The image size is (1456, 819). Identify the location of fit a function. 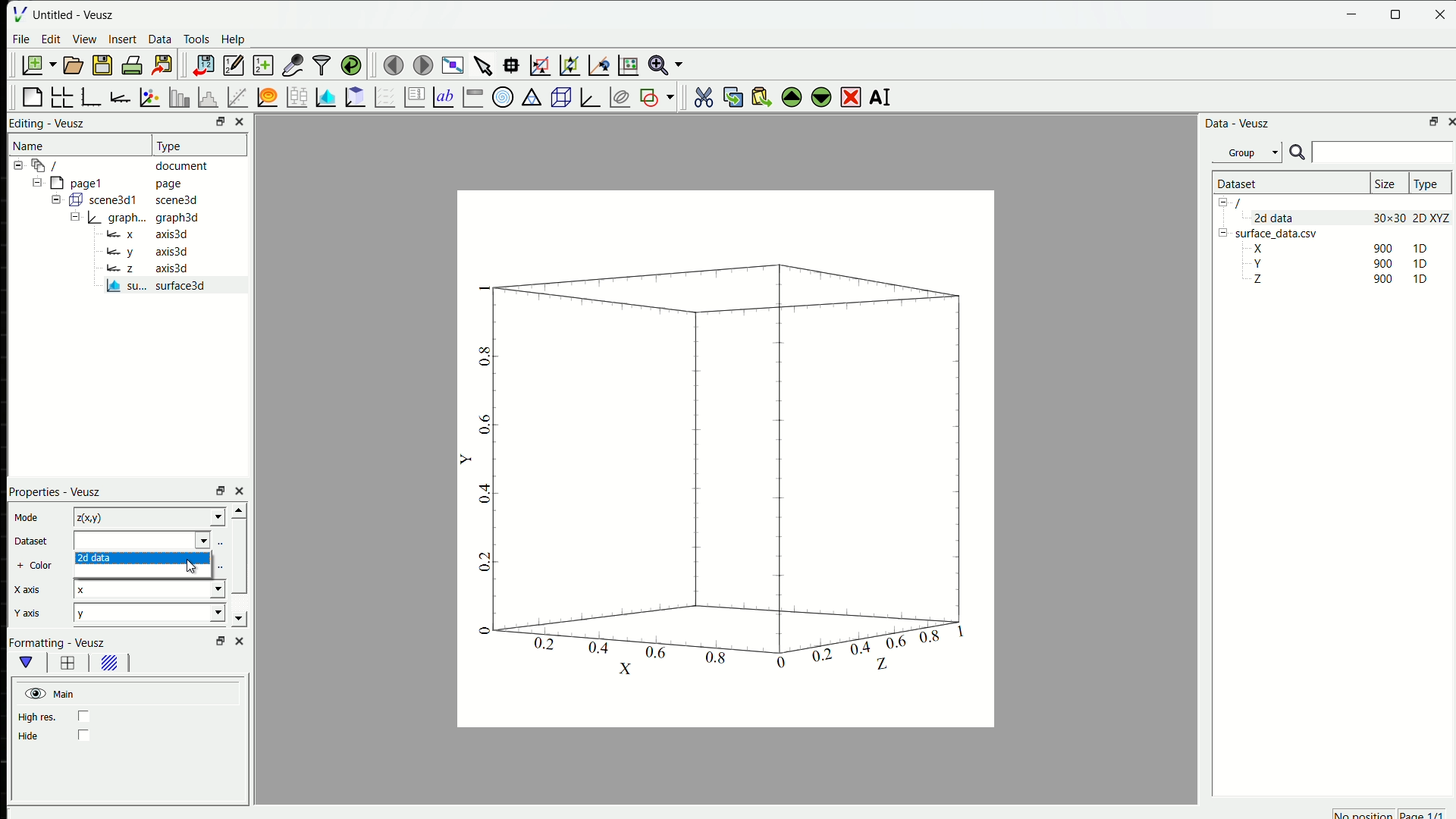
(238, 96).